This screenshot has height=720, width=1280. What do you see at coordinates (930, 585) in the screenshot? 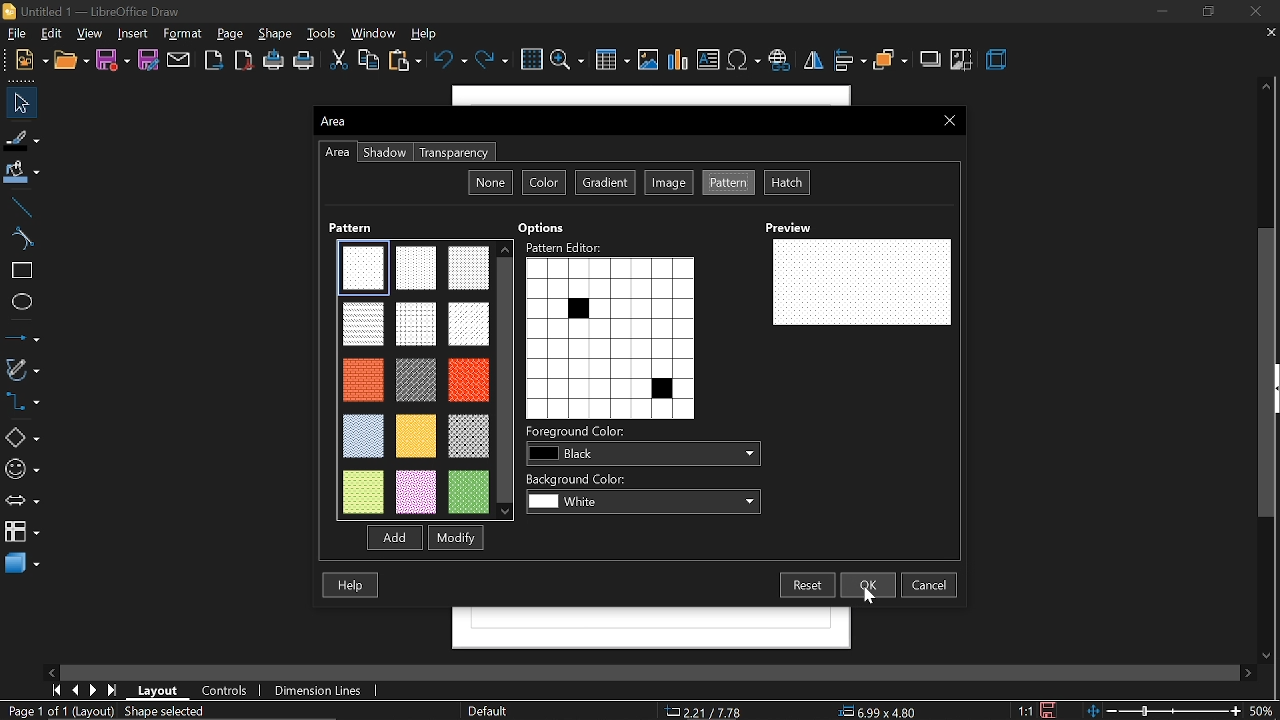
I see `cancel` at bounding box center [930, 585].